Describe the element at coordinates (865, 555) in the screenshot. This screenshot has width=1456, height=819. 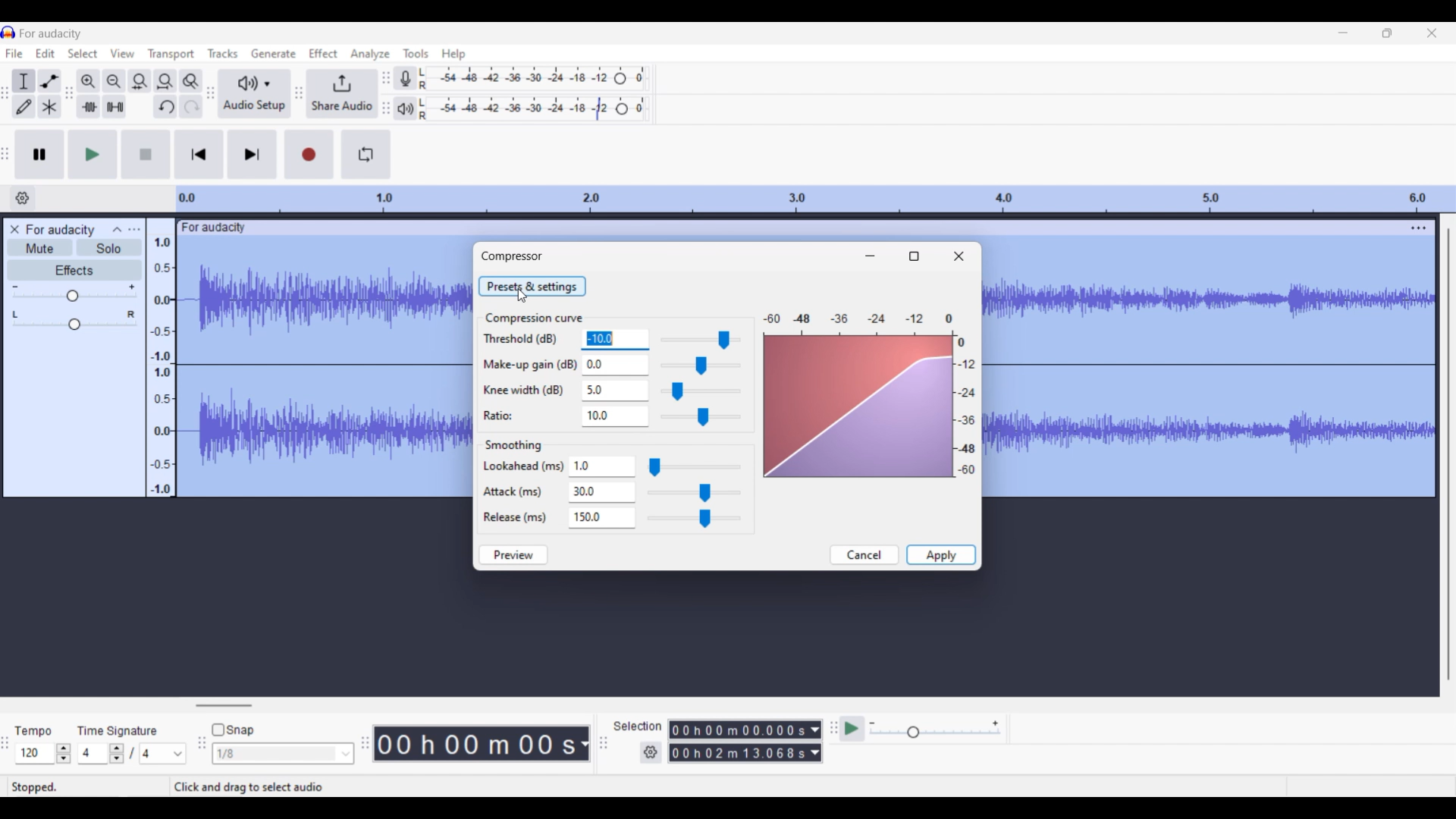
I see `Cancel` at that location.